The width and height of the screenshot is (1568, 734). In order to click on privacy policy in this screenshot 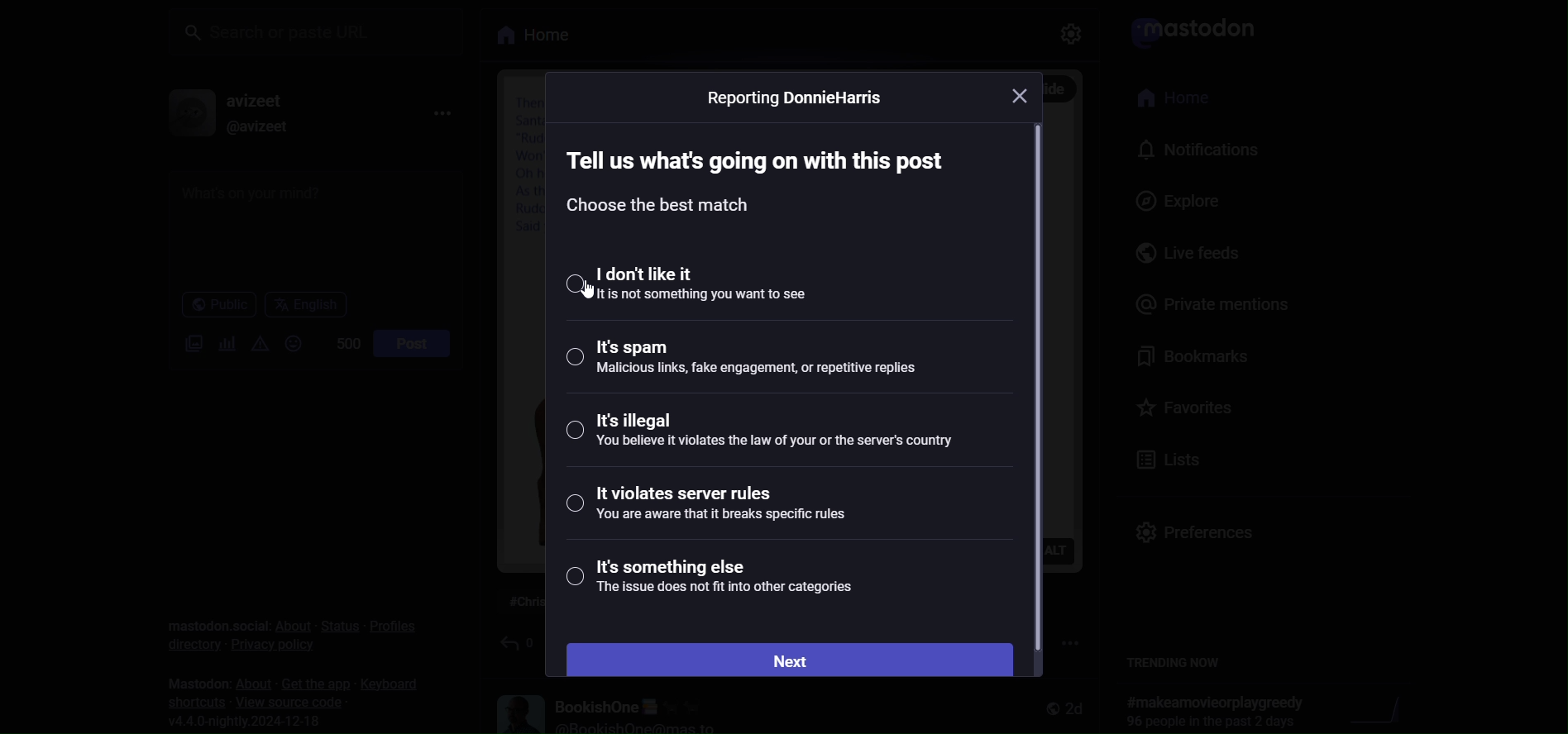, I will do `click(271, 651)`.